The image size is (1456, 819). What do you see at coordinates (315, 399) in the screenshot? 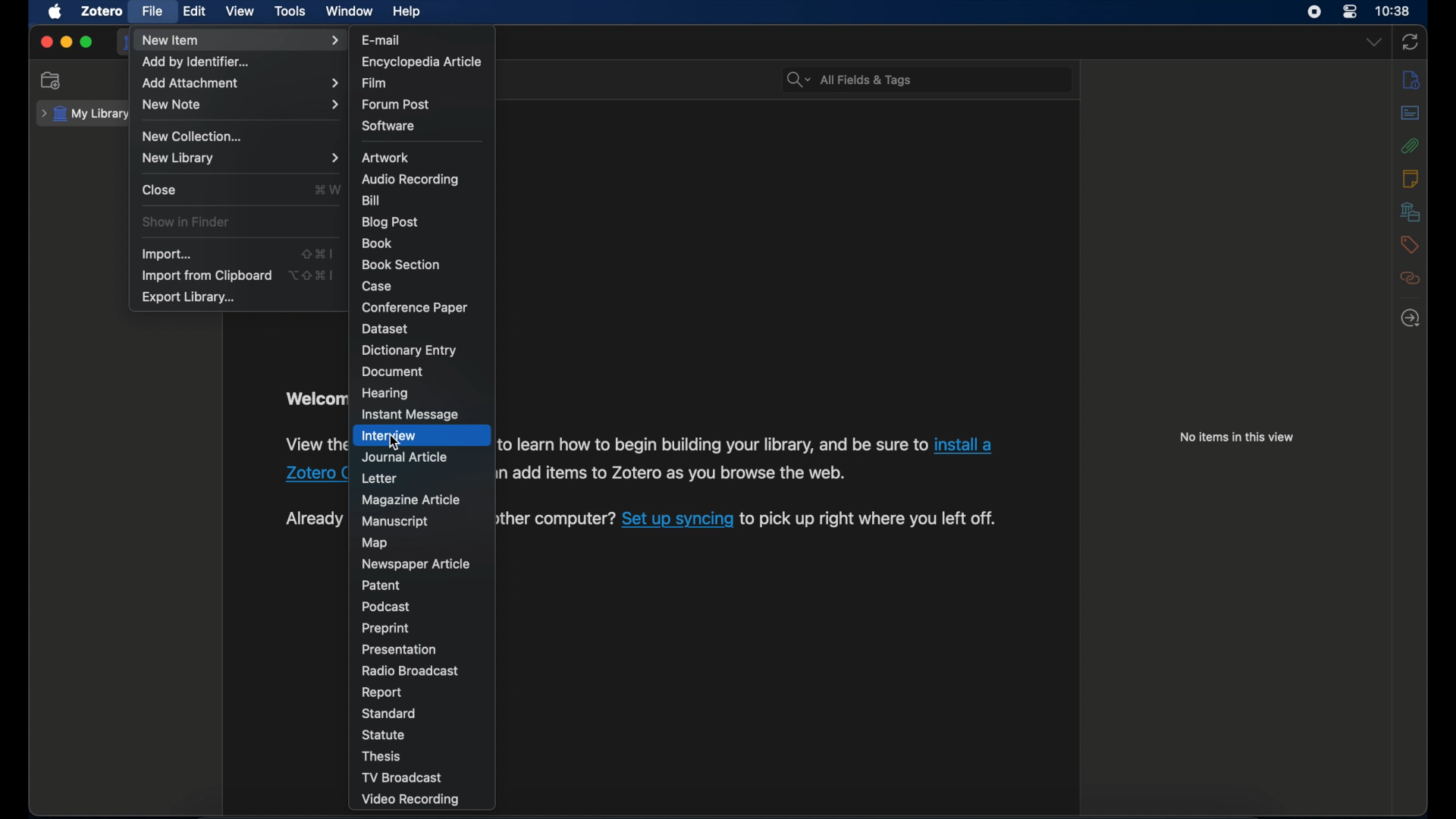
I see `welcome` at bounding box center [315, 399].